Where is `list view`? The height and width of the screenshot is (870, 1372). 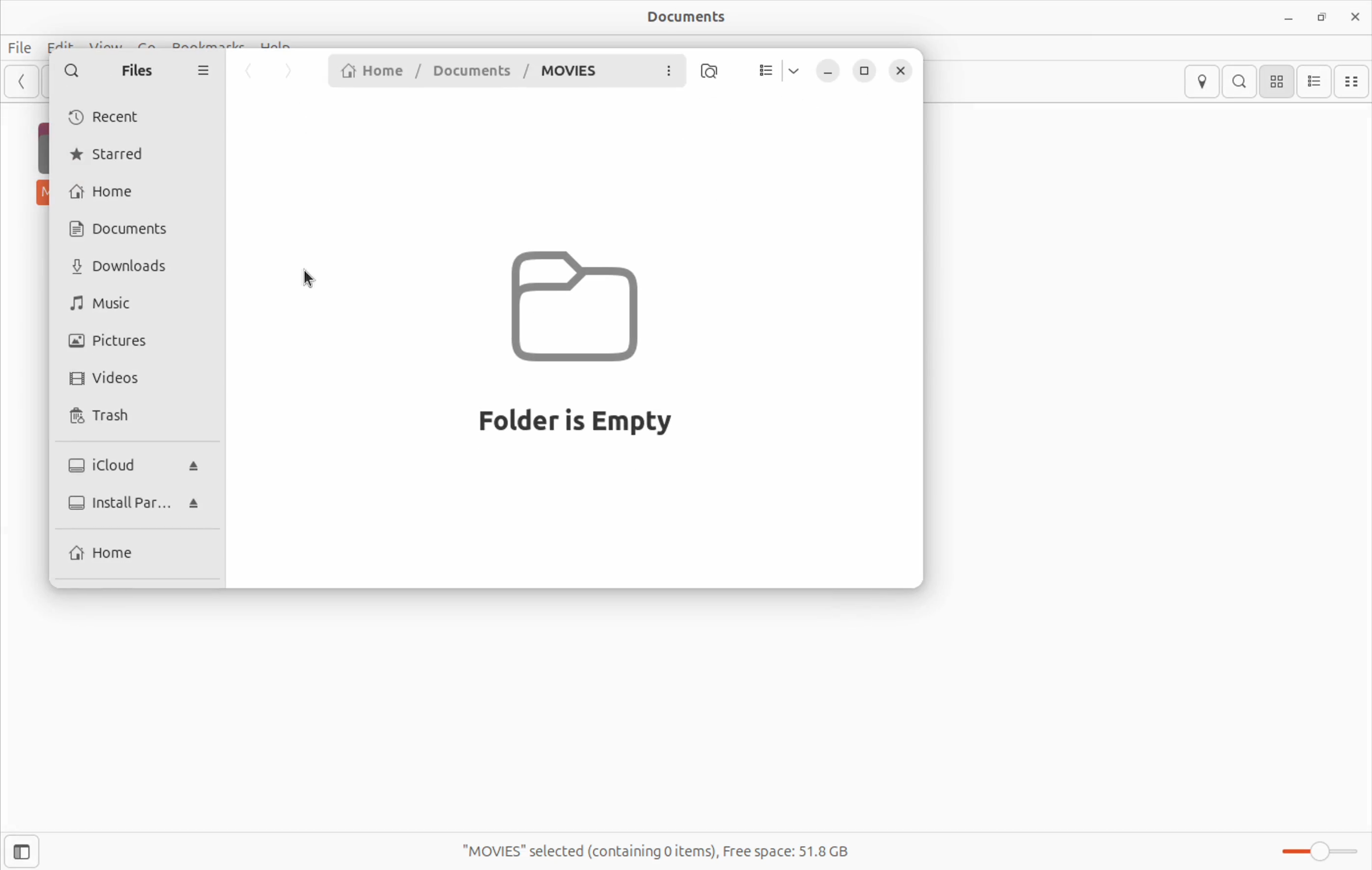 list view is located at coordinates (1316, 82).